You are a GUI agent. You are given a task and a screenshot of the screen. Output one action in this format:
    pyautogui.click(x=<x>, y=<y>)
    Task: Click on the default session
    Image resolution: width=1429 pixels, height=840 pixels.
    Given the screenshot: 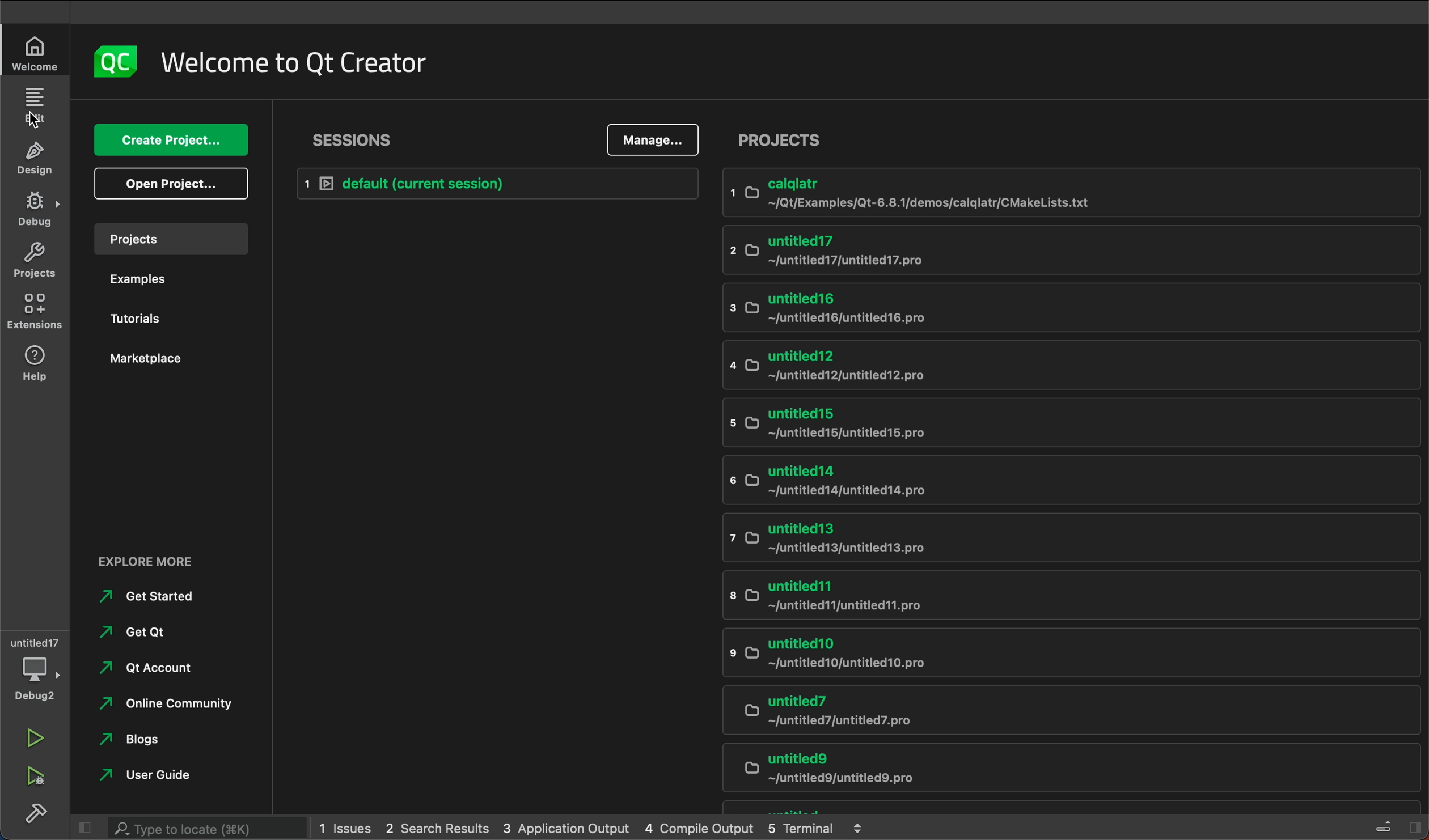 What is the action you would take?
    pyautogui.click(x=500, y=184)
    